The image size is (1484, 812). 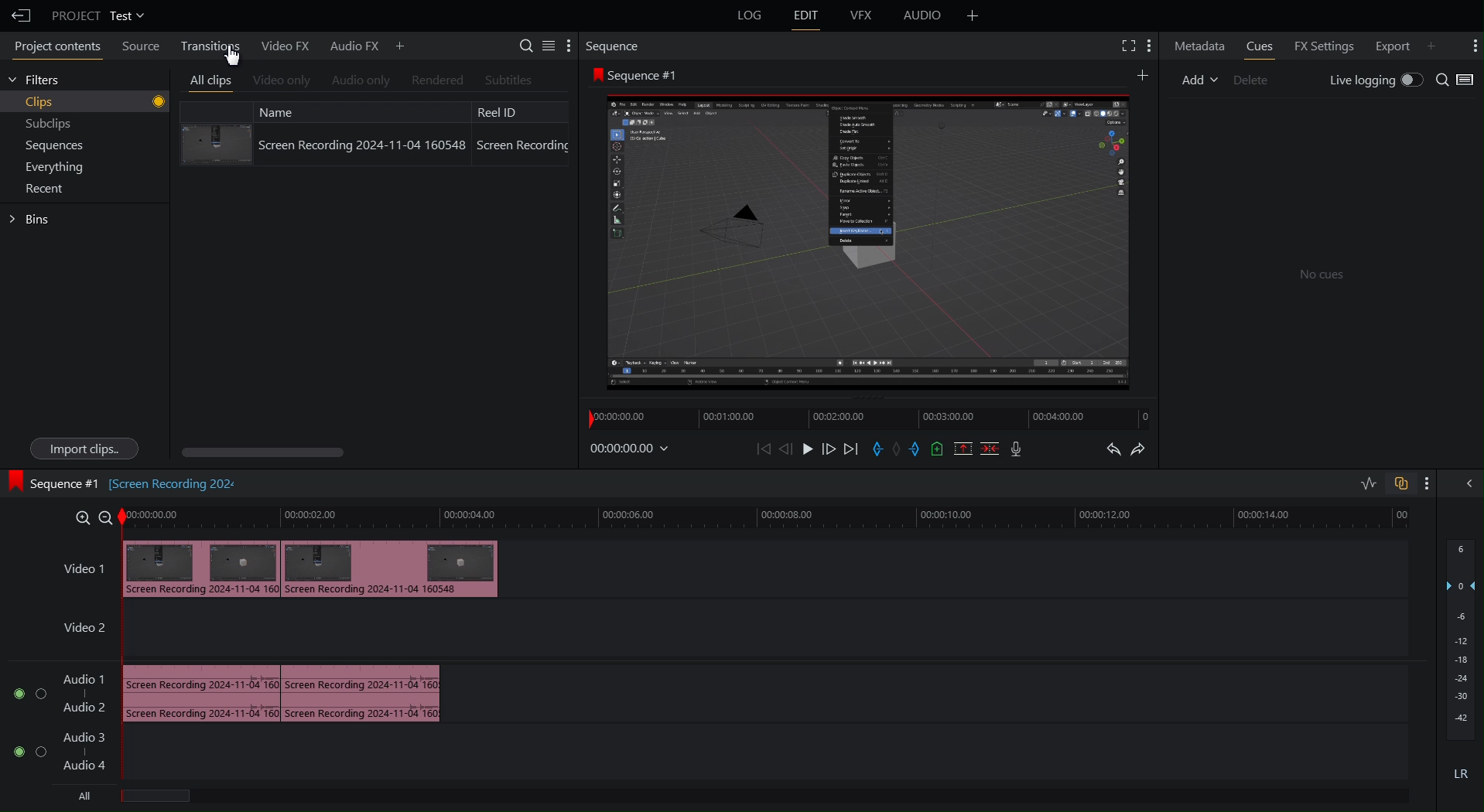 I want to click on Video FX, so click(x=279, y=44).